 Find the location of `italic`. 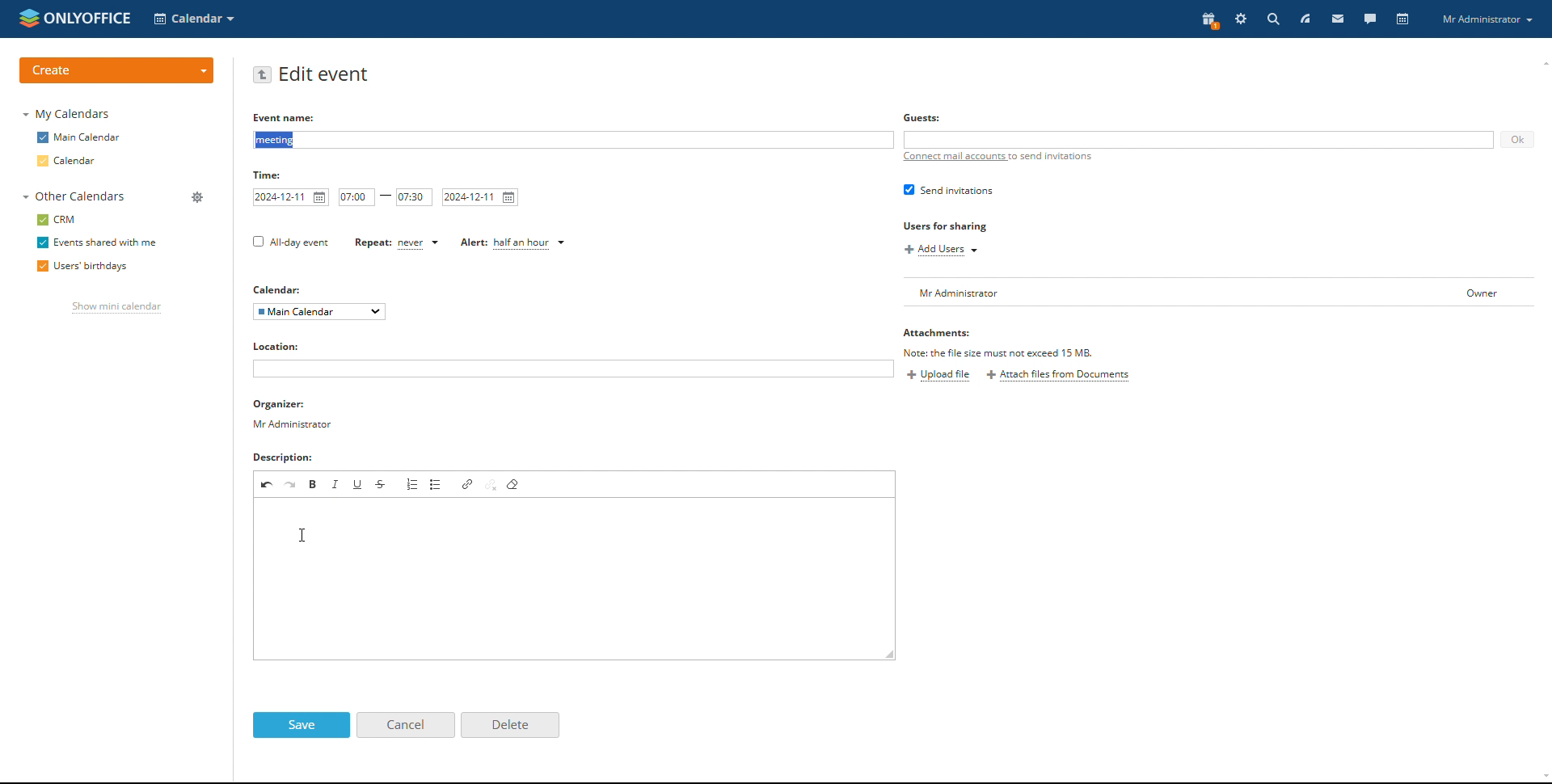

italic is located at coordinates (336, 484).